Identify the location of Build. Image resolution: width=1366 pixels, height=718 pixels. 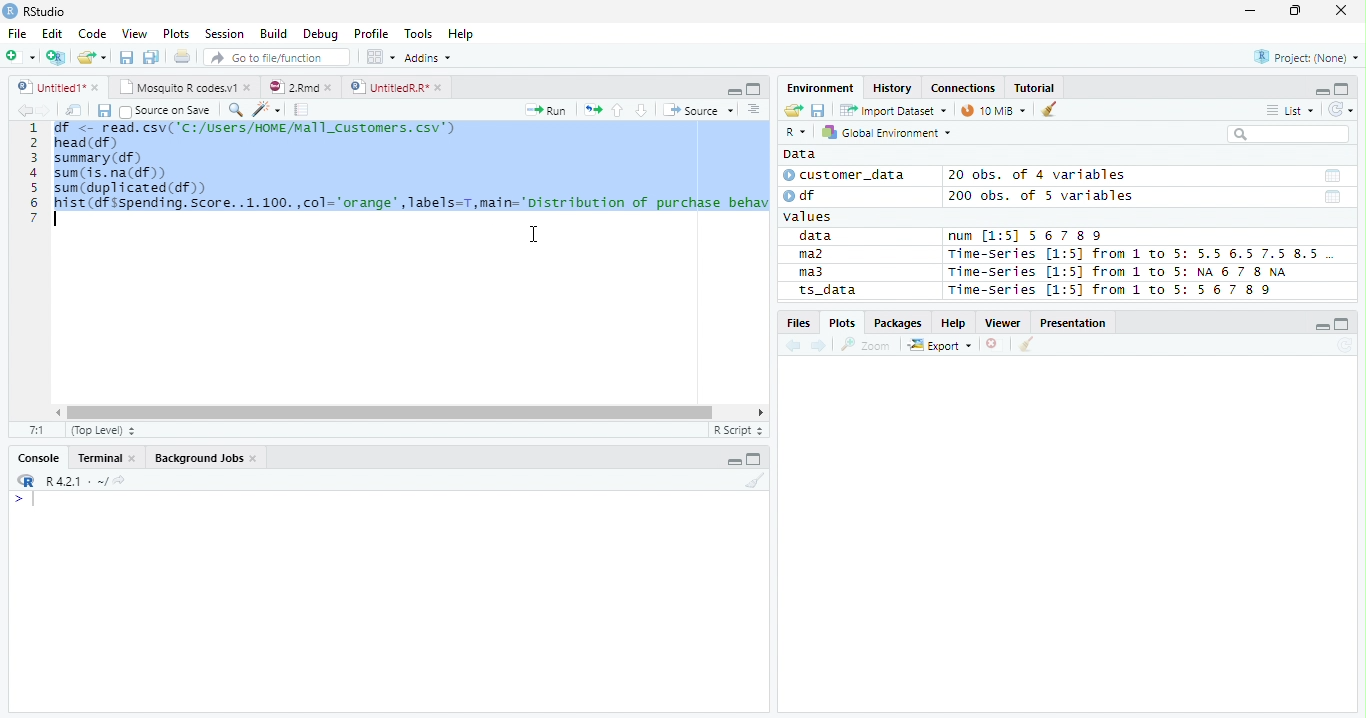
(276, 35).